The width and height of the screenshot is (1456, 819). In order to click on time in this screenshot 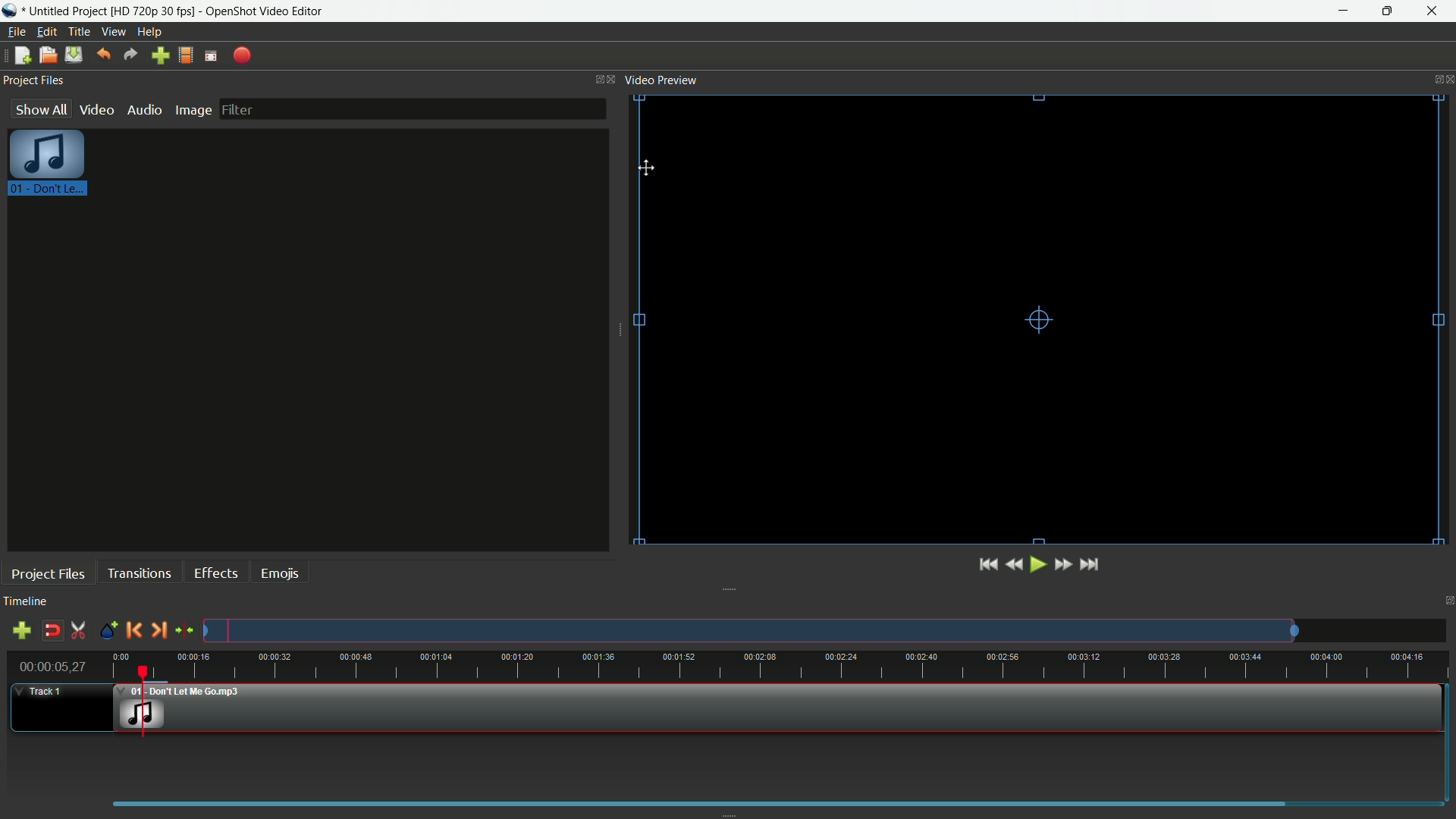, I will do `click(780, 666)`.